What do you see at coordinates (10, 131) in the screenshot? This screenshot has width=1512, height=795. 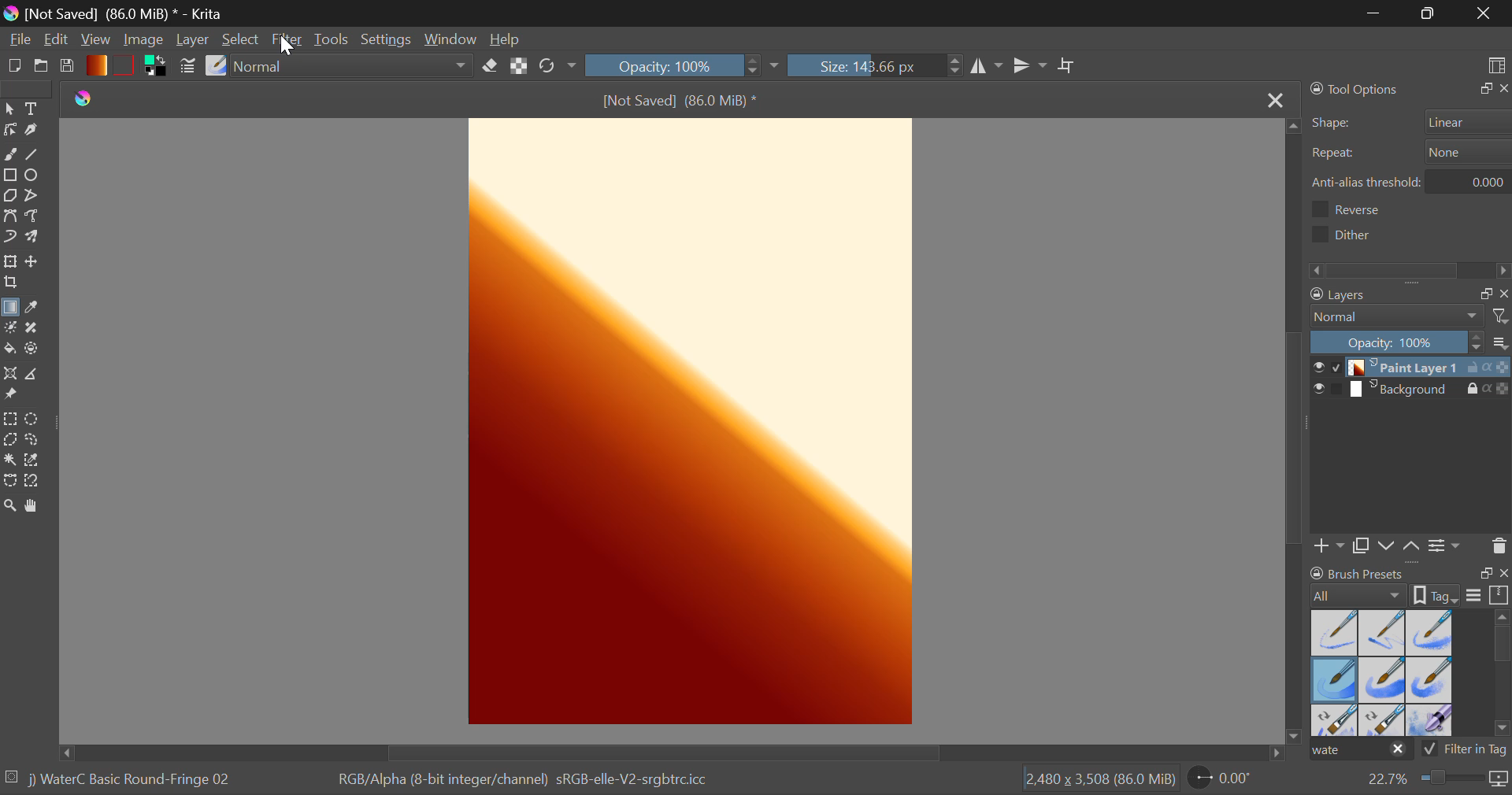 I see `Edit Shapes` at bounding box center [10, 131].